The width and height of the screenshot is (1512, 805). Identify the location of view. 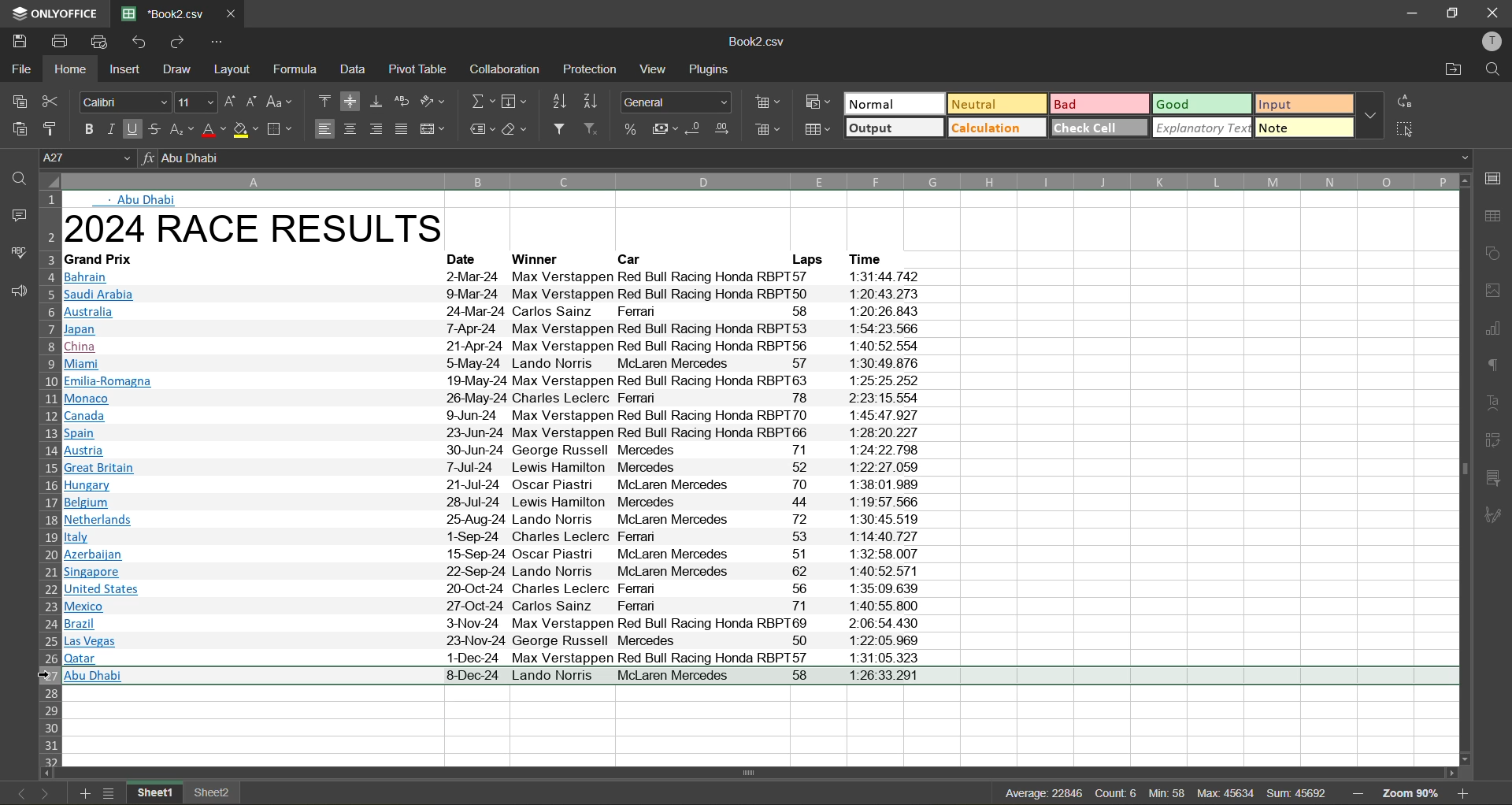
(653, 70).